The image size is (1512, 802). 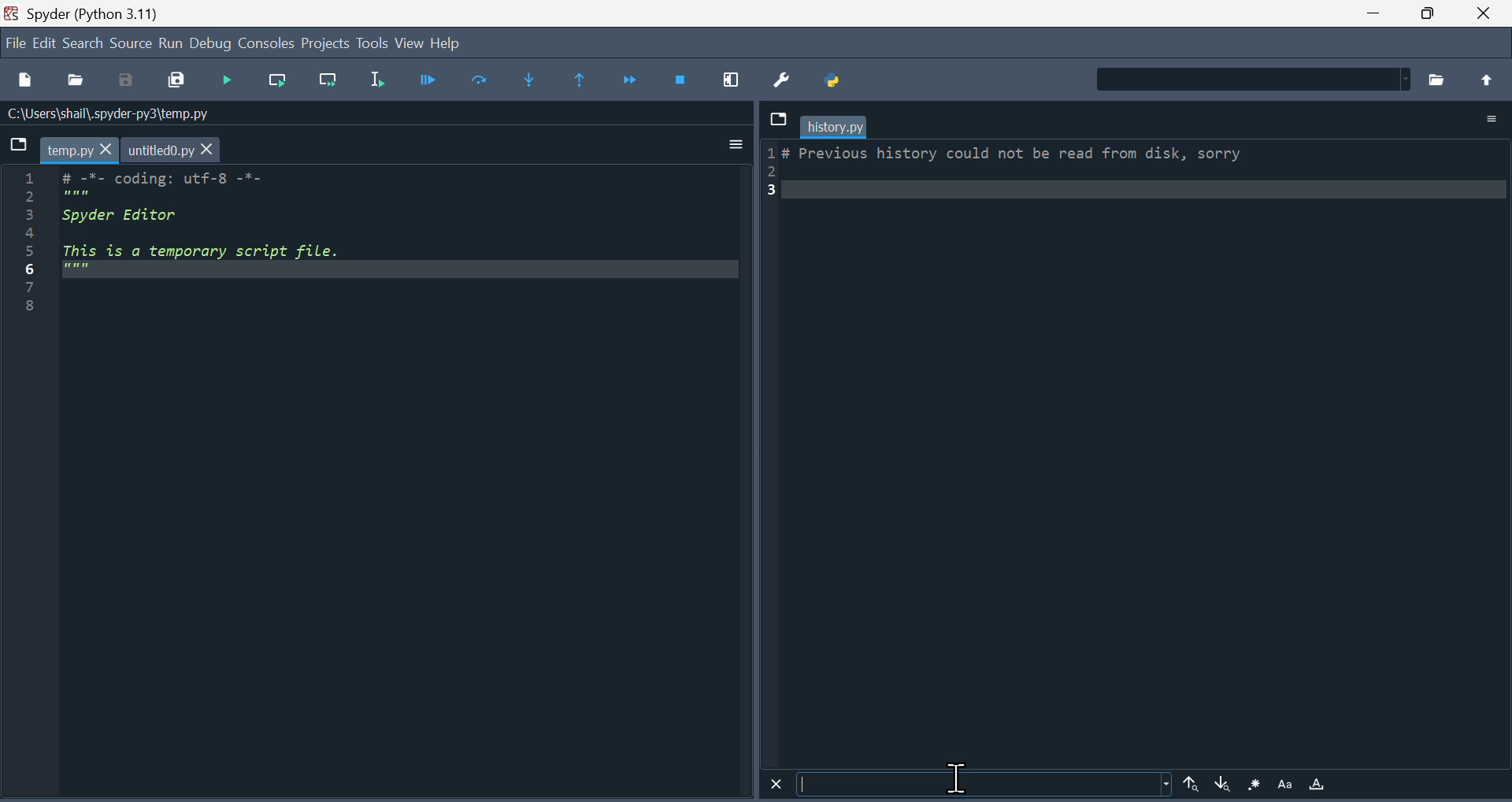 I want to click on Continue execution until next function, so click(x=633, y=80).